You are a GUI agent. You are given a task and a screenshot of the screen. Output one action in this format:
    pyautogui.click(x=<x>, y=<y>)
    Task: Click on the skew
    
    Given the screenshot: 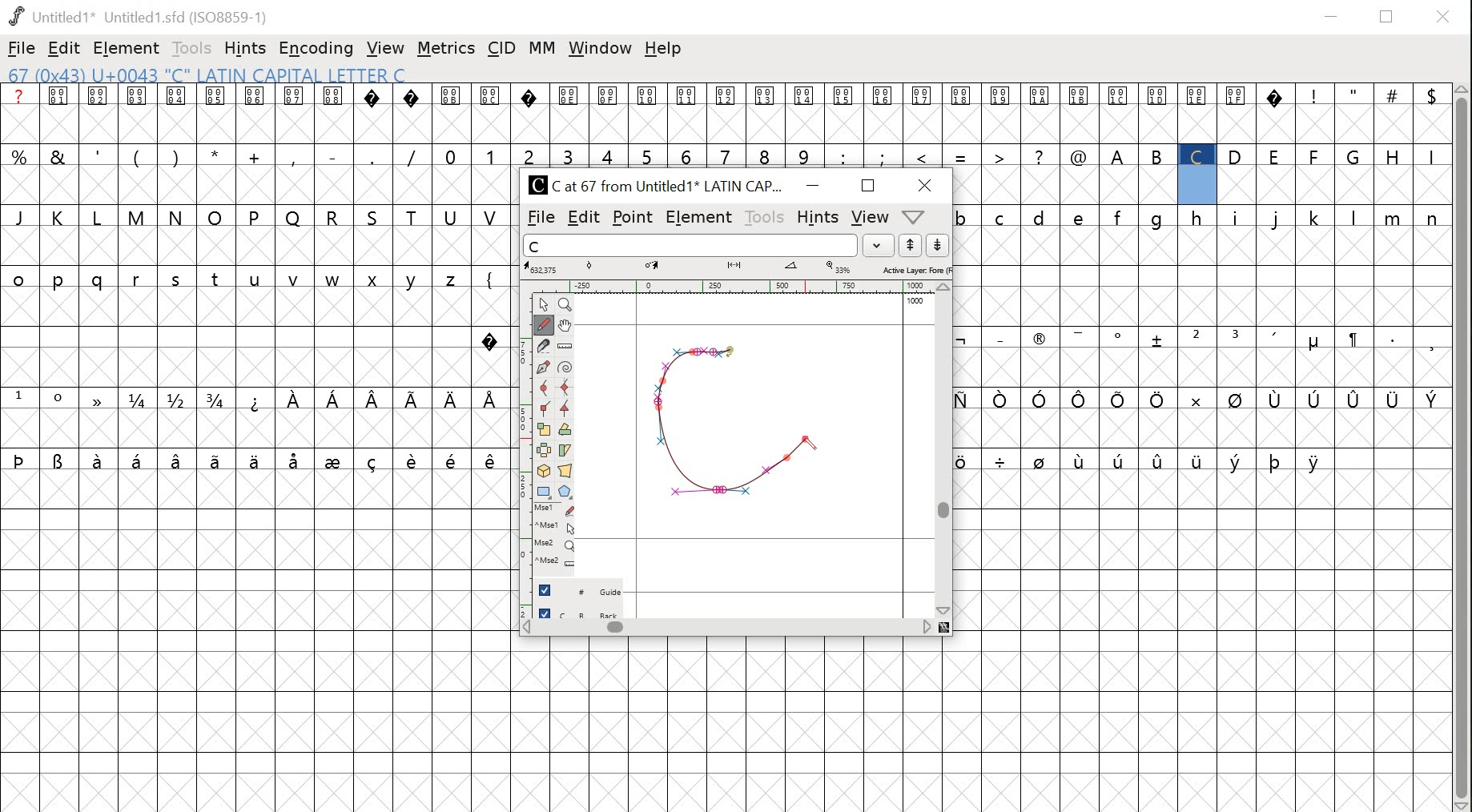 What is the action you would take?
    pyautogui.click(x=568, y=450)
    